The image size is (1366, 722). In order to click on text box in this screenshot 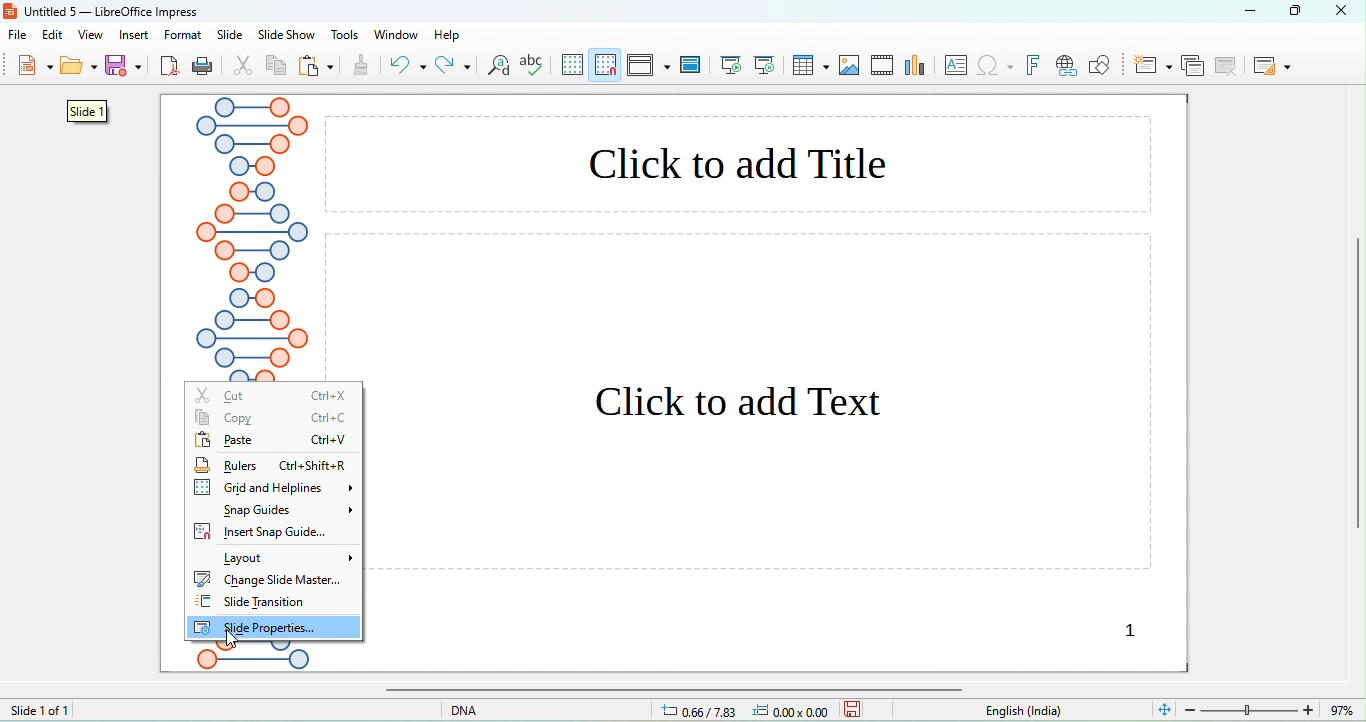, I will do `click(958, 65)`.